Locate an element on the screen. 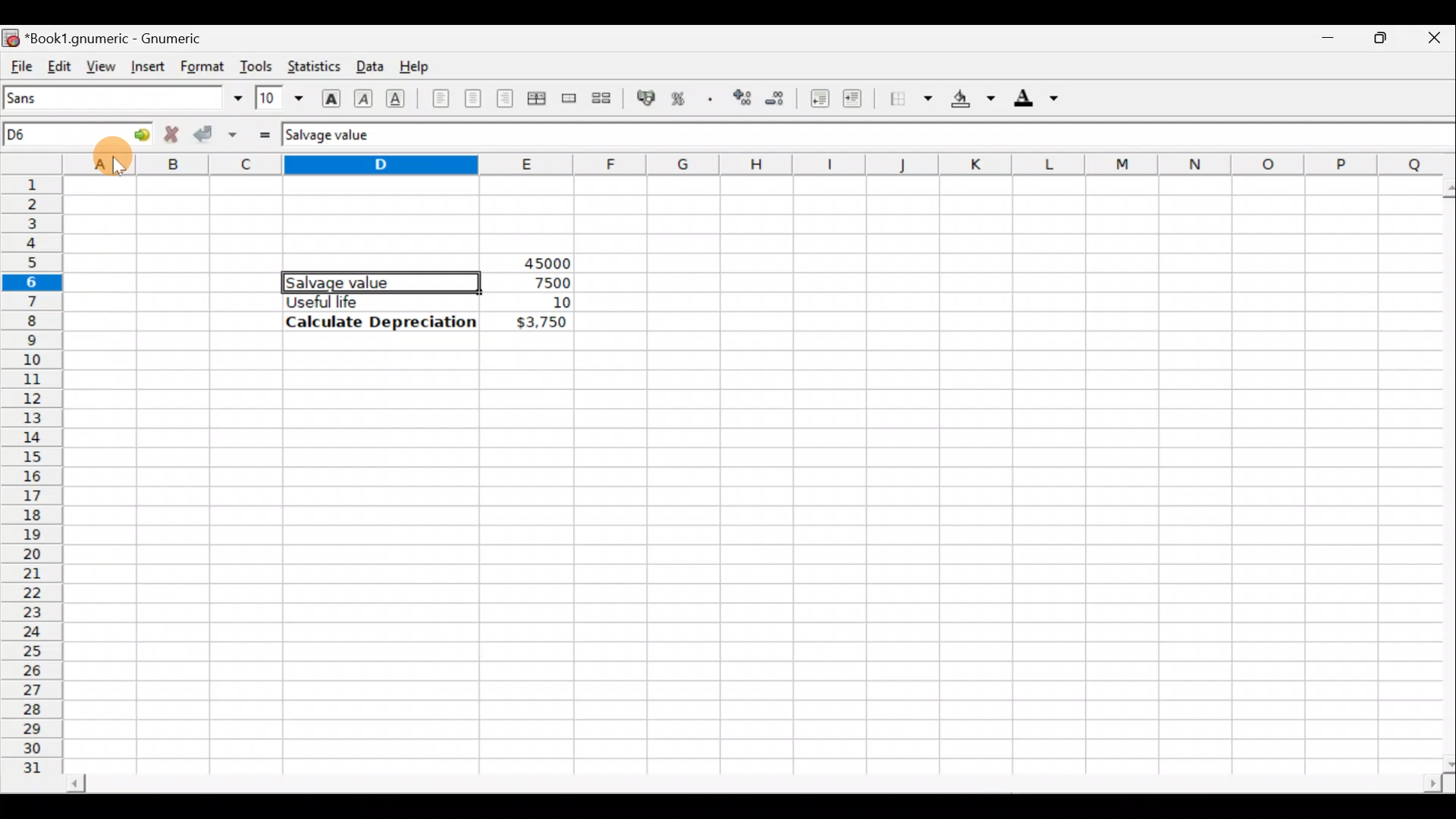  10 is located at coordinates (541, 303).